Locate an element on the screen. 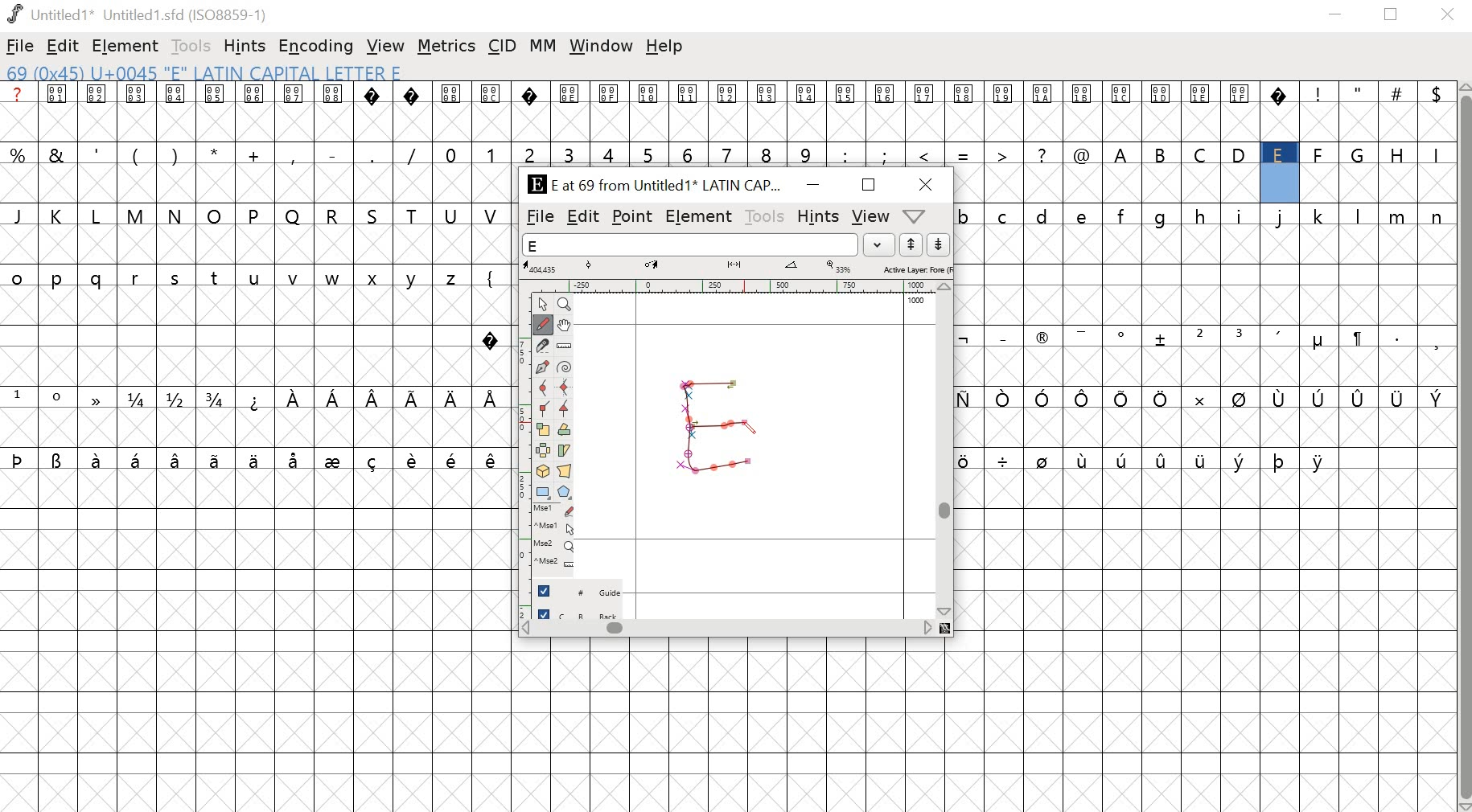 The width and height of the screenshot is (1472, 812). encoding is located at coordinates (316, 47).